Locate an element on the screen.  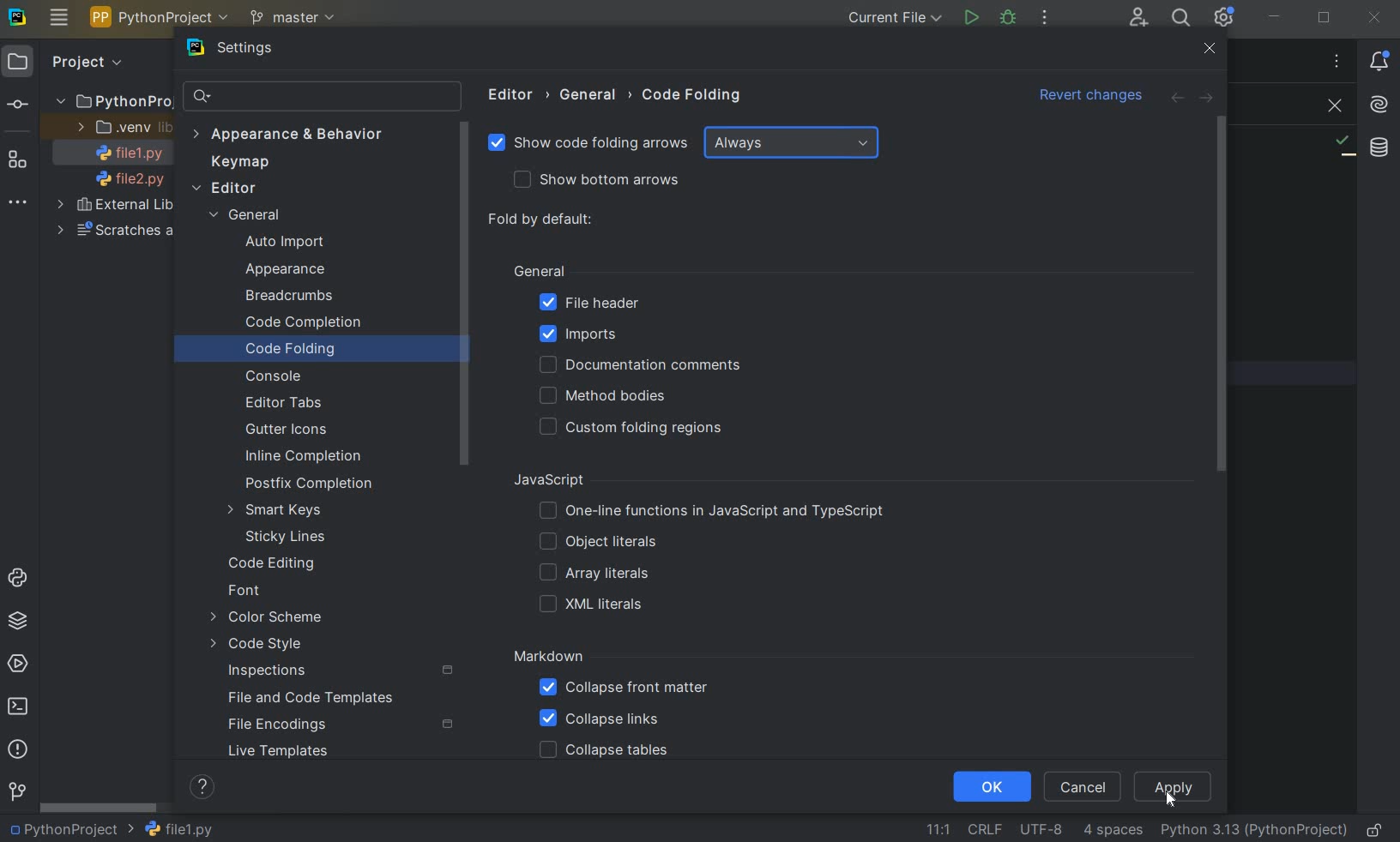
CODE EDITING is located at coordinates (275, 564).